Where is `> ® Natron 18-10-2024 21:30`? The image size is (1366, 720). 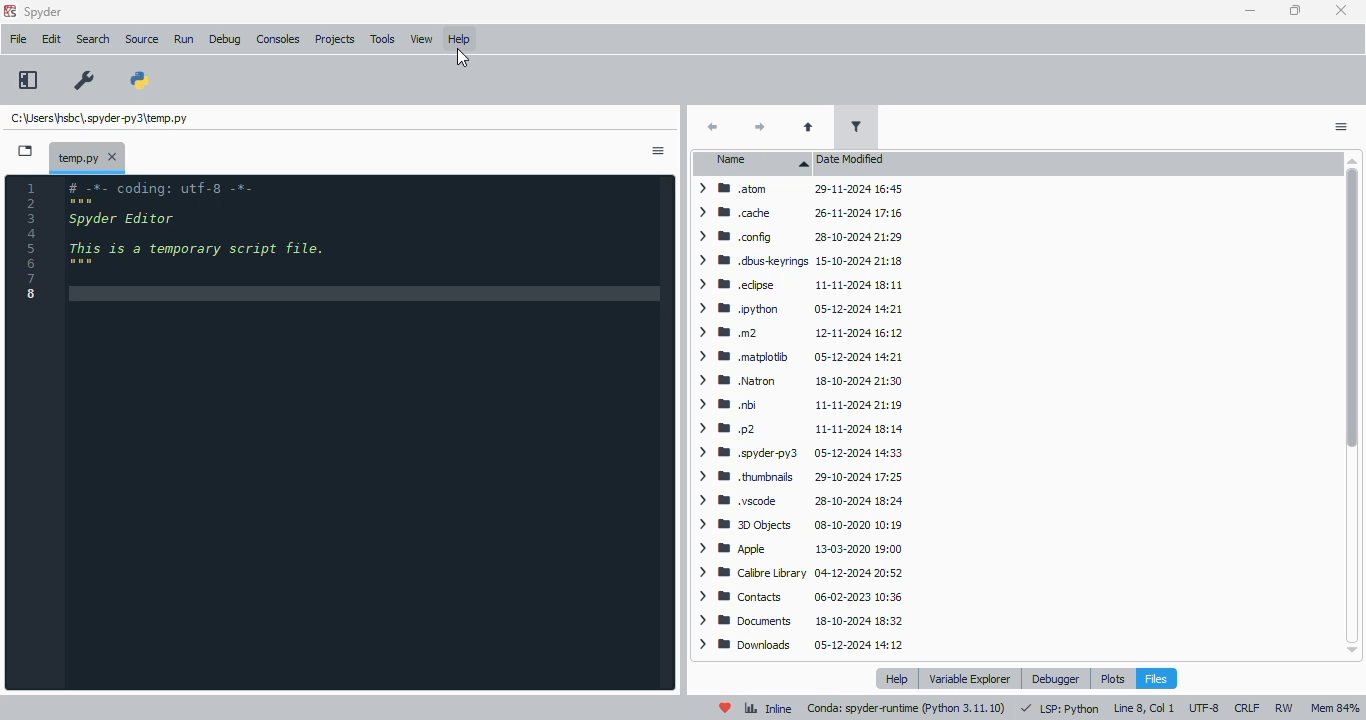
> ® Natron 18-10-2024 21:30 is located at coordinates (796, 379).